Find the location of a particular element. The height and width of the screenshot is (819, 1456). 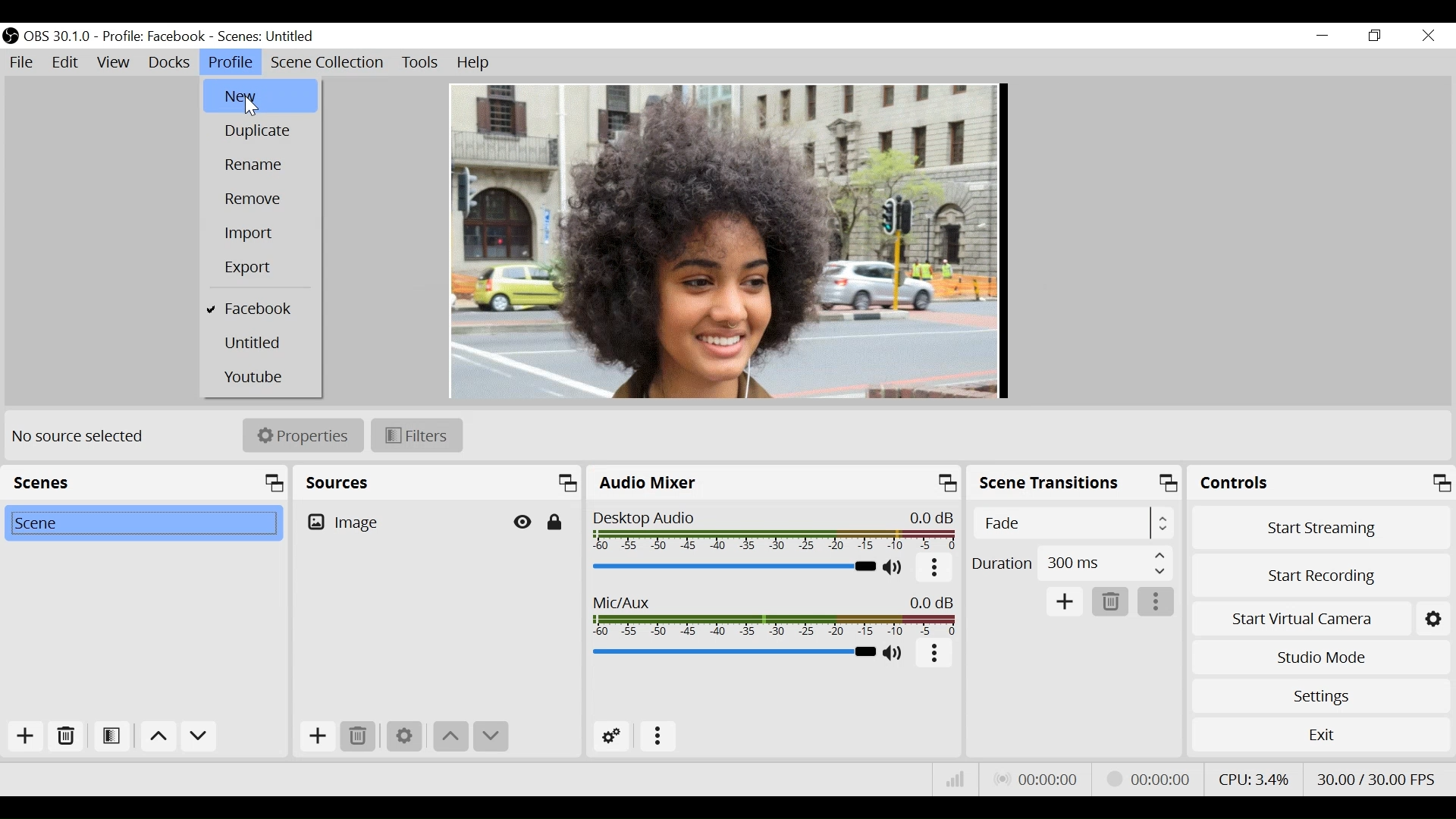

Import is located at coordinates (261, 234).